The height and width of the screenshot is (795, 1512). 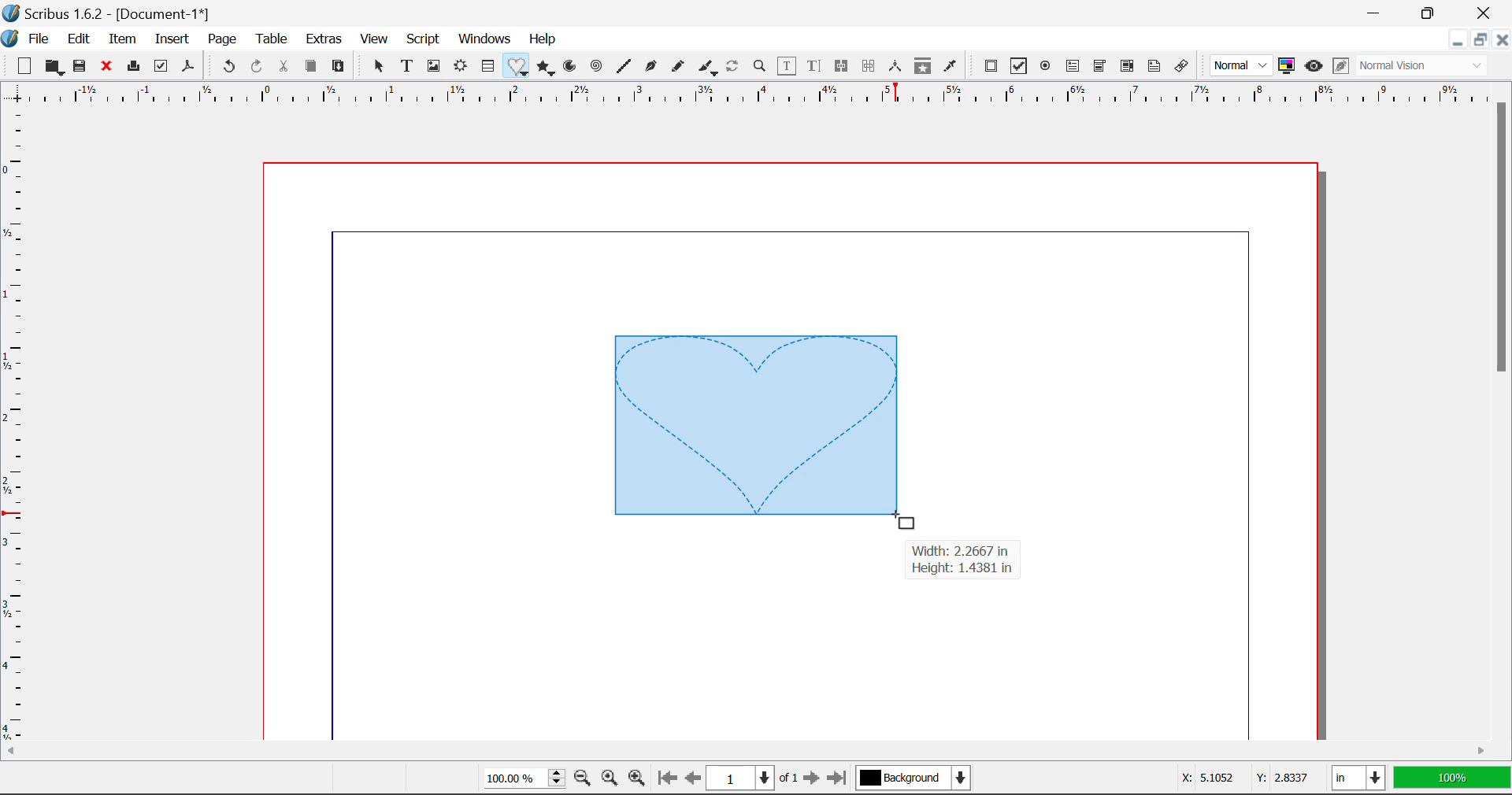 What do you see at coordinates (916, 779) in the screenshot?
I see `Background` at bounding box center [916, 779].